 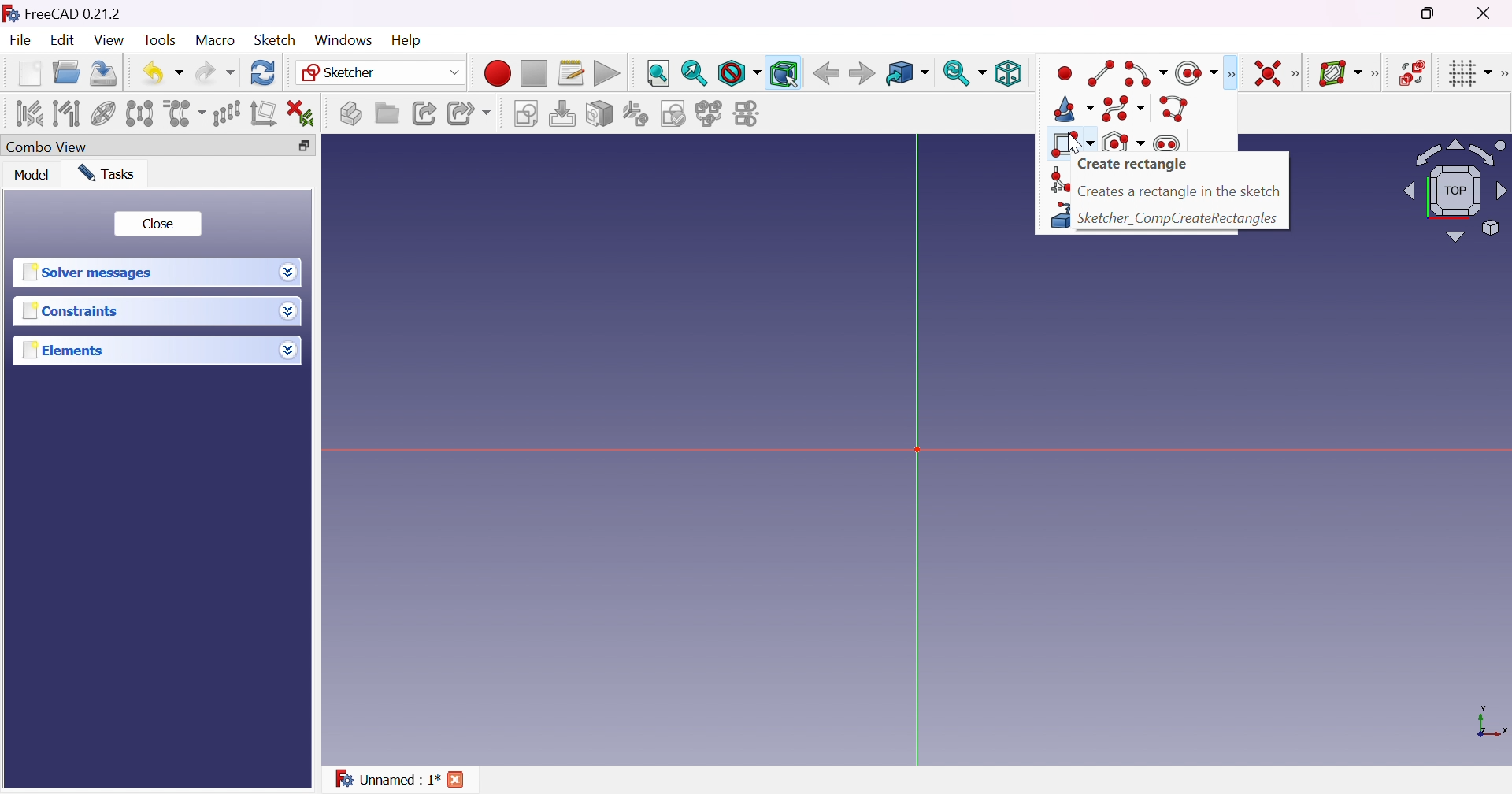 What do you see at coordinates (1064, 72) in the screenshot?
I see `Create point` at bounding box center [1064, 72].